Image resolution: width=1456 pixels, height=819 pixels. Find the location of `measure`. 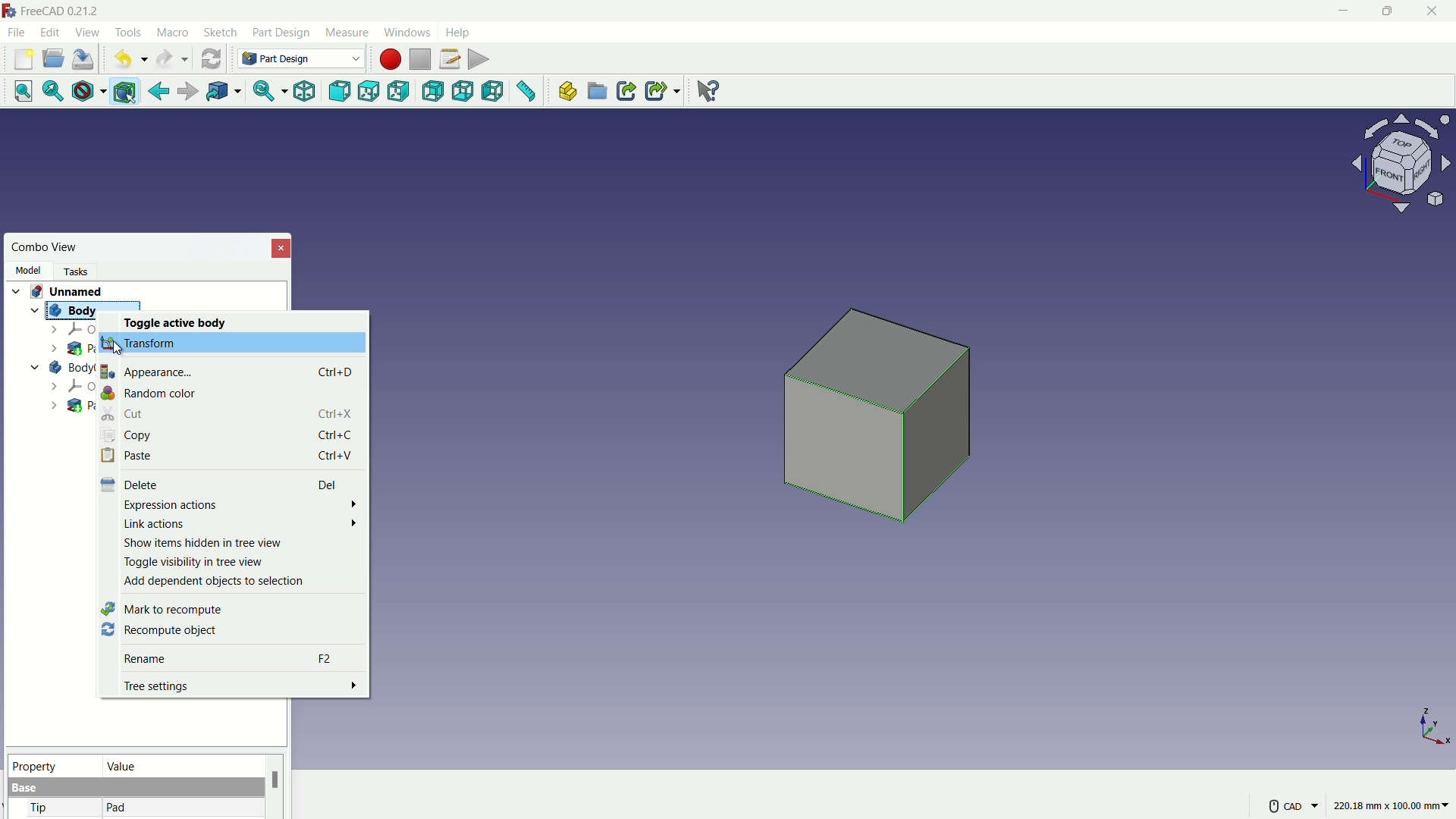

measure is located at coordinates (527, 93).